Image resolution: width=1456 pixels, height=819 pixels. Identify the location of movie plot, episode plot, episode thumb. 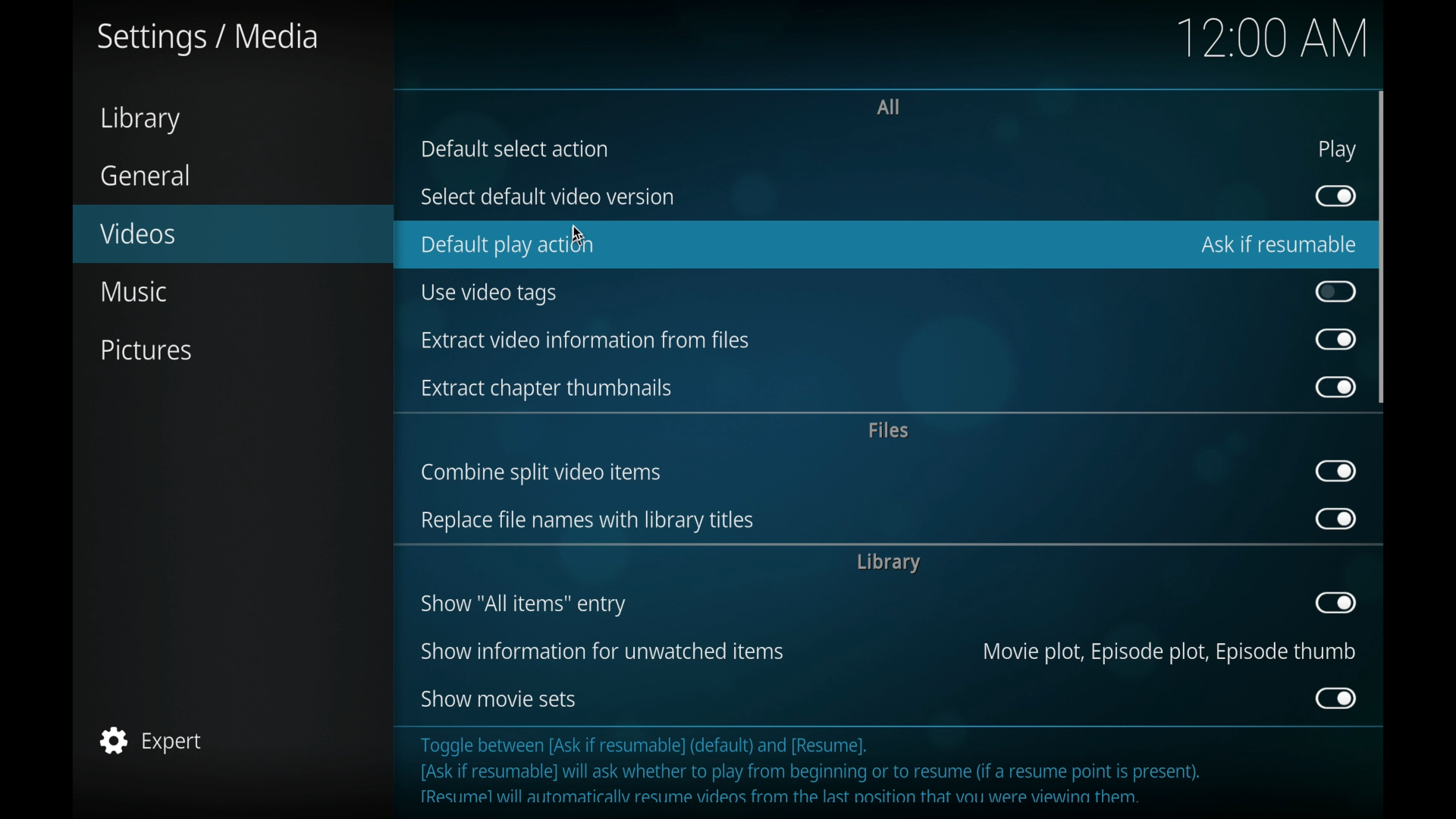
(1170, 654).